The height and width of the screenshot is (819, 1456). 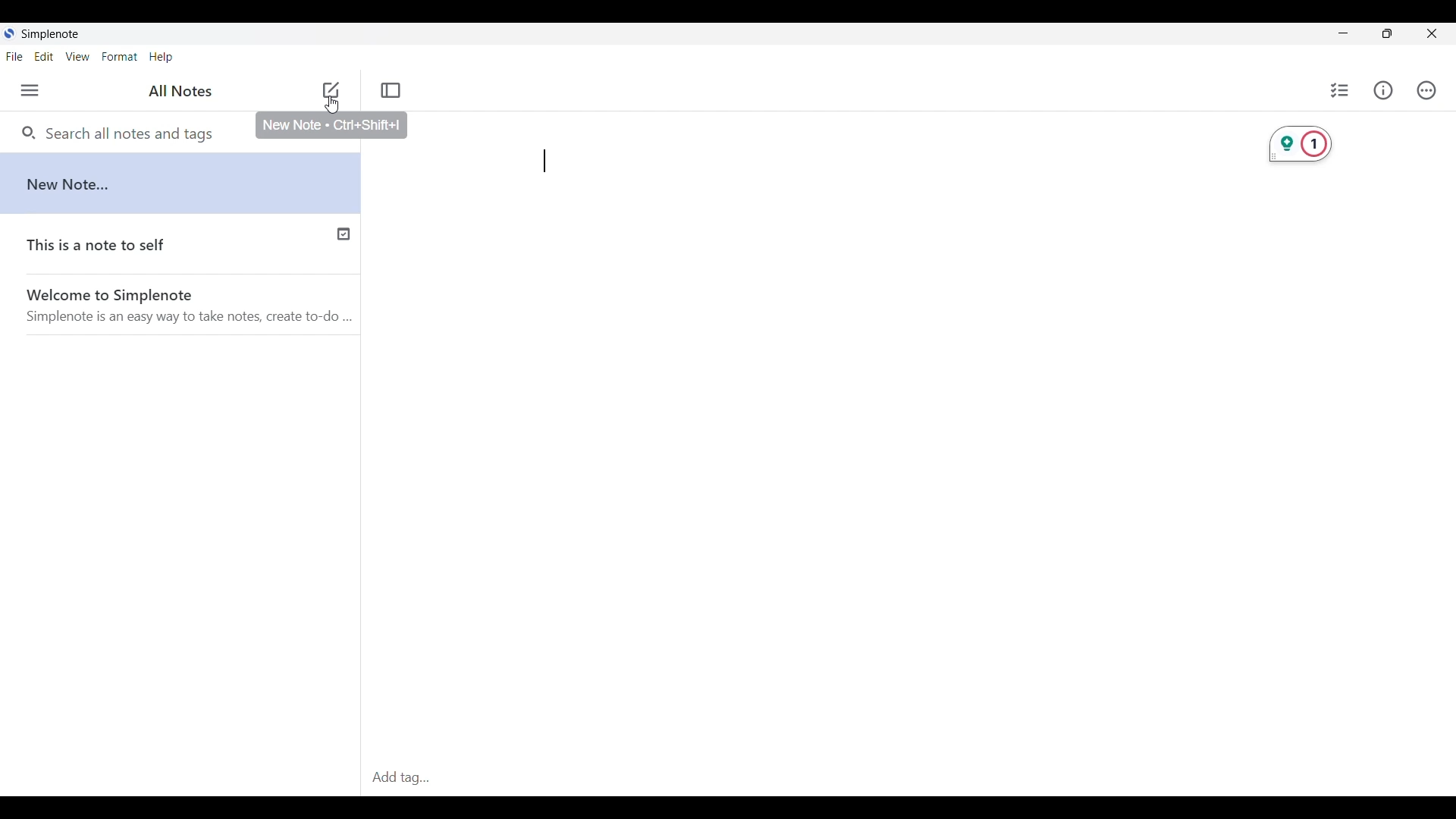 What do you see at coordinates (44, 57) in the screenshot?
I see `Edit menu` at bounding box center [44, 57].